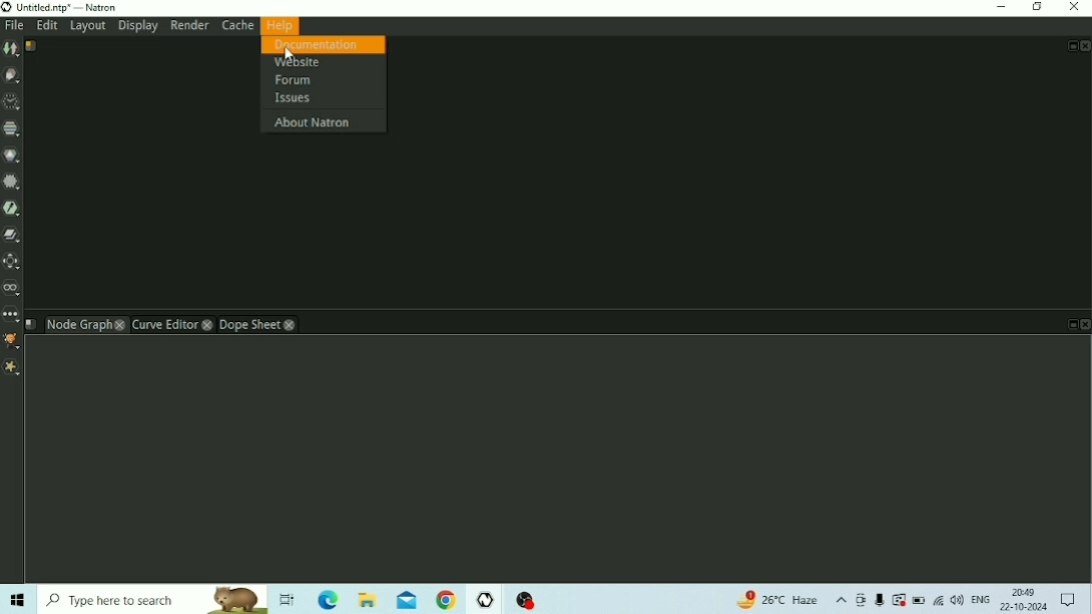  What do you see at coordinates (487, 598) in the screenshot?
I see `Natron` at bounding box center [487, 598].